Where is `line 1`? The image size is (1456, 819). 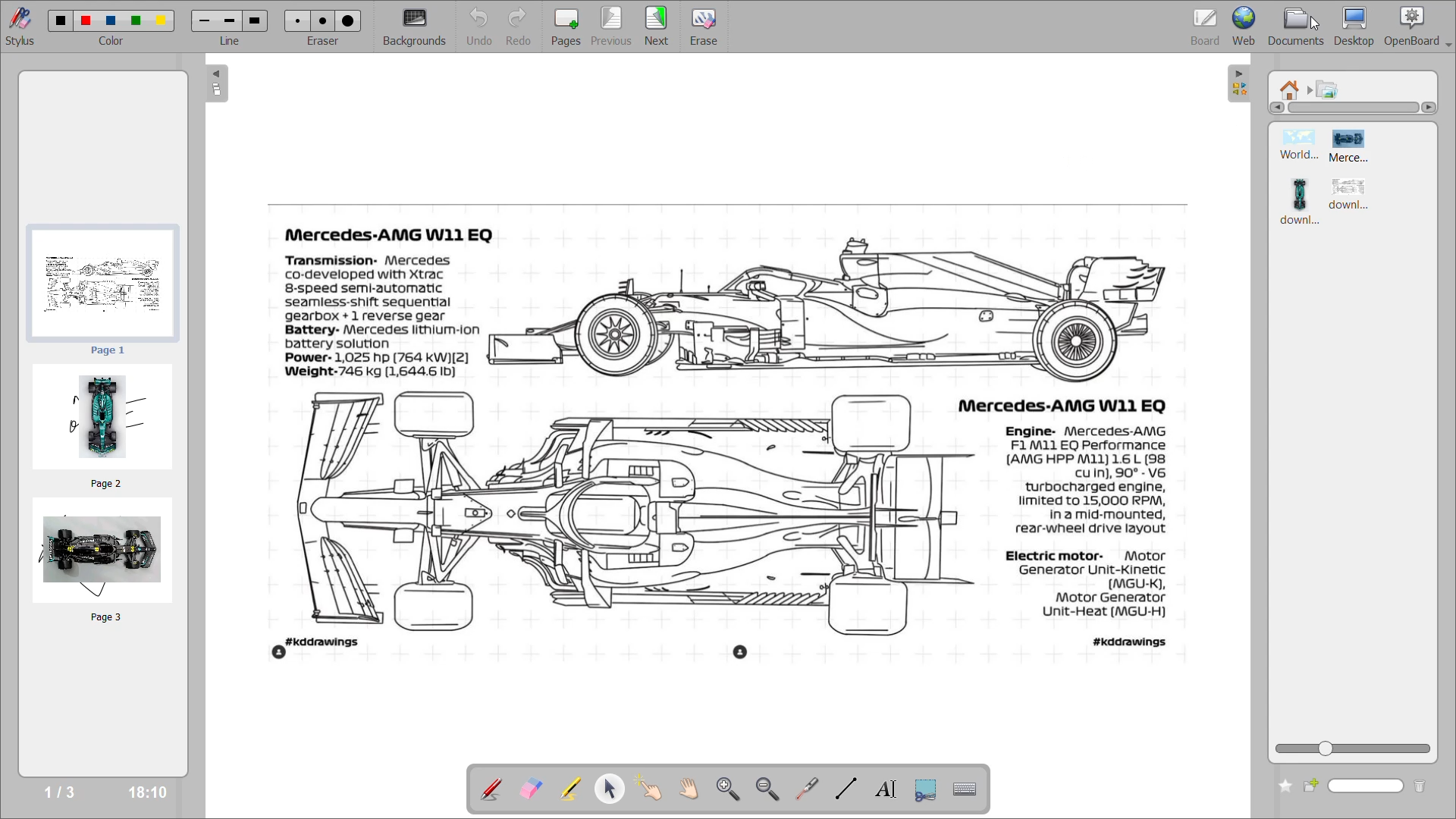
line 1 is located at coordinates (204, 20).